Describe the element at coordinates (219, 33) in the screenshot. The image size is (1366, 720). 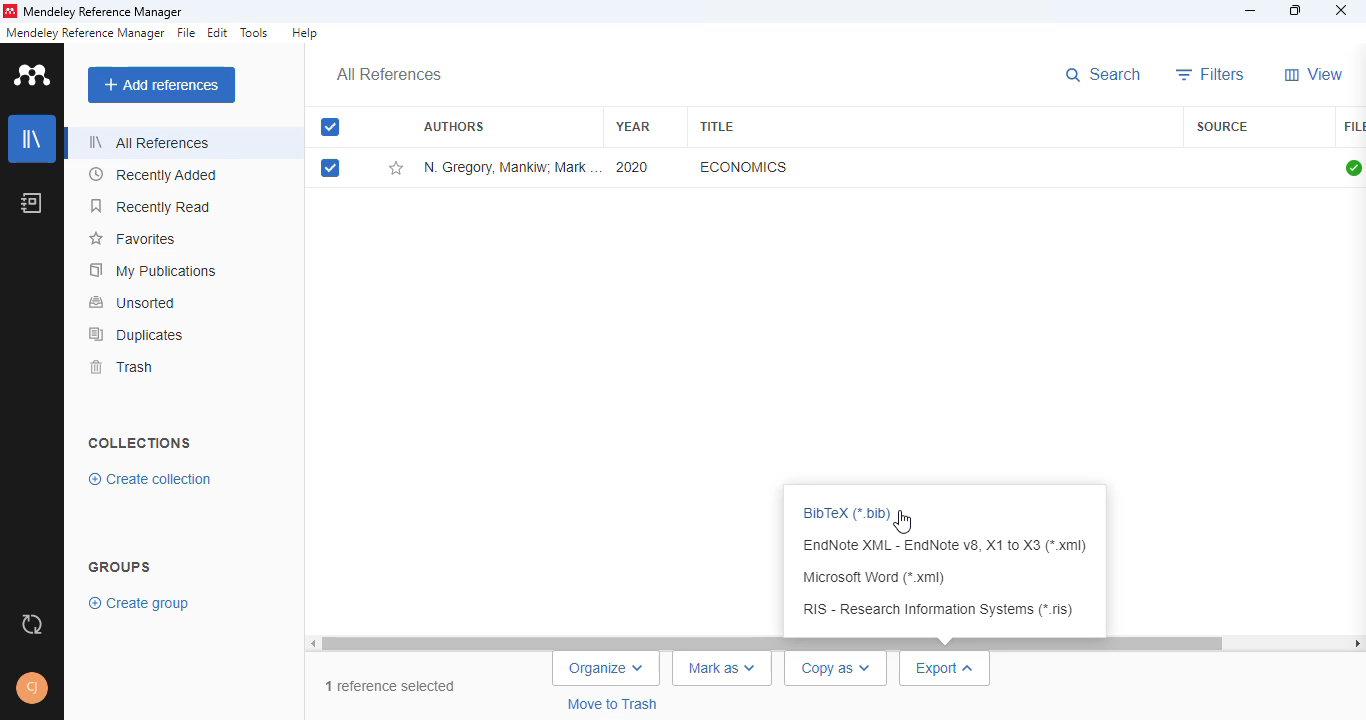
I see `edit` at that location.